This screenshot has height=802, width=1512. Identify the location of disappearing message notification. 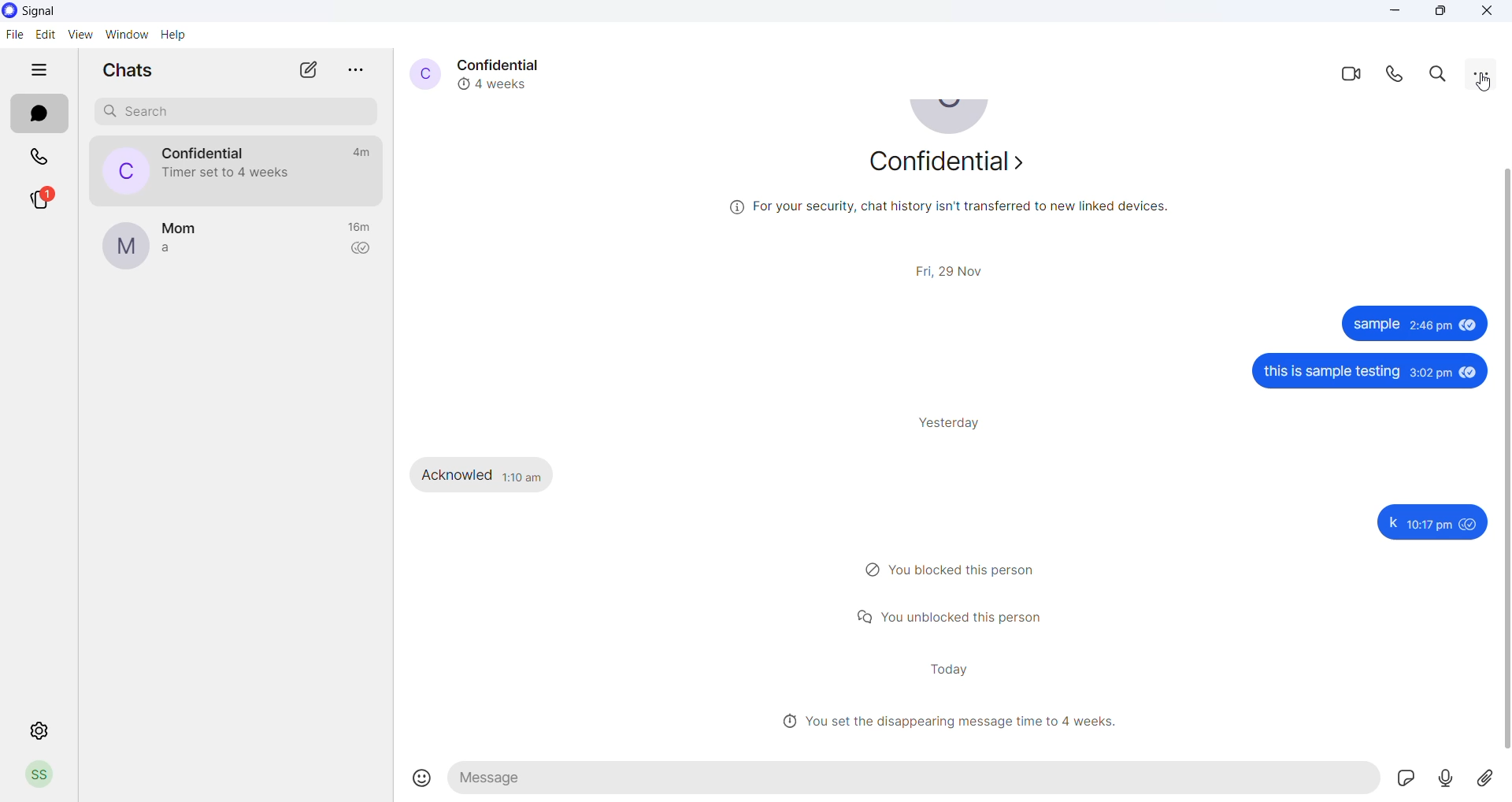
(230, 172).